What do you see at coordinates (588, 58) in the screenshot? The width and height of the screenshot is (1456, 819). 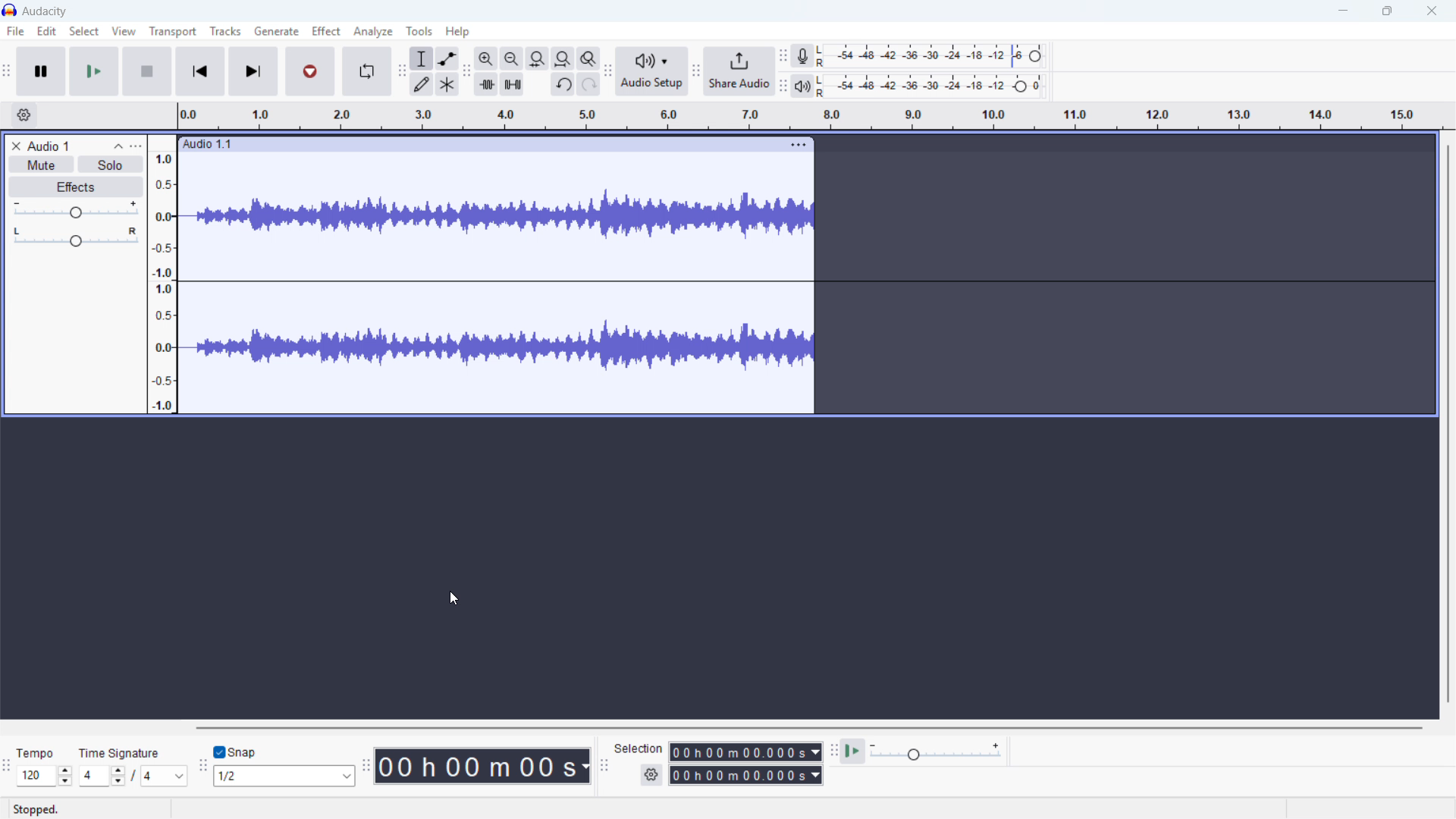 I see `Toggle zoom ` at bounding box center [588, 58].